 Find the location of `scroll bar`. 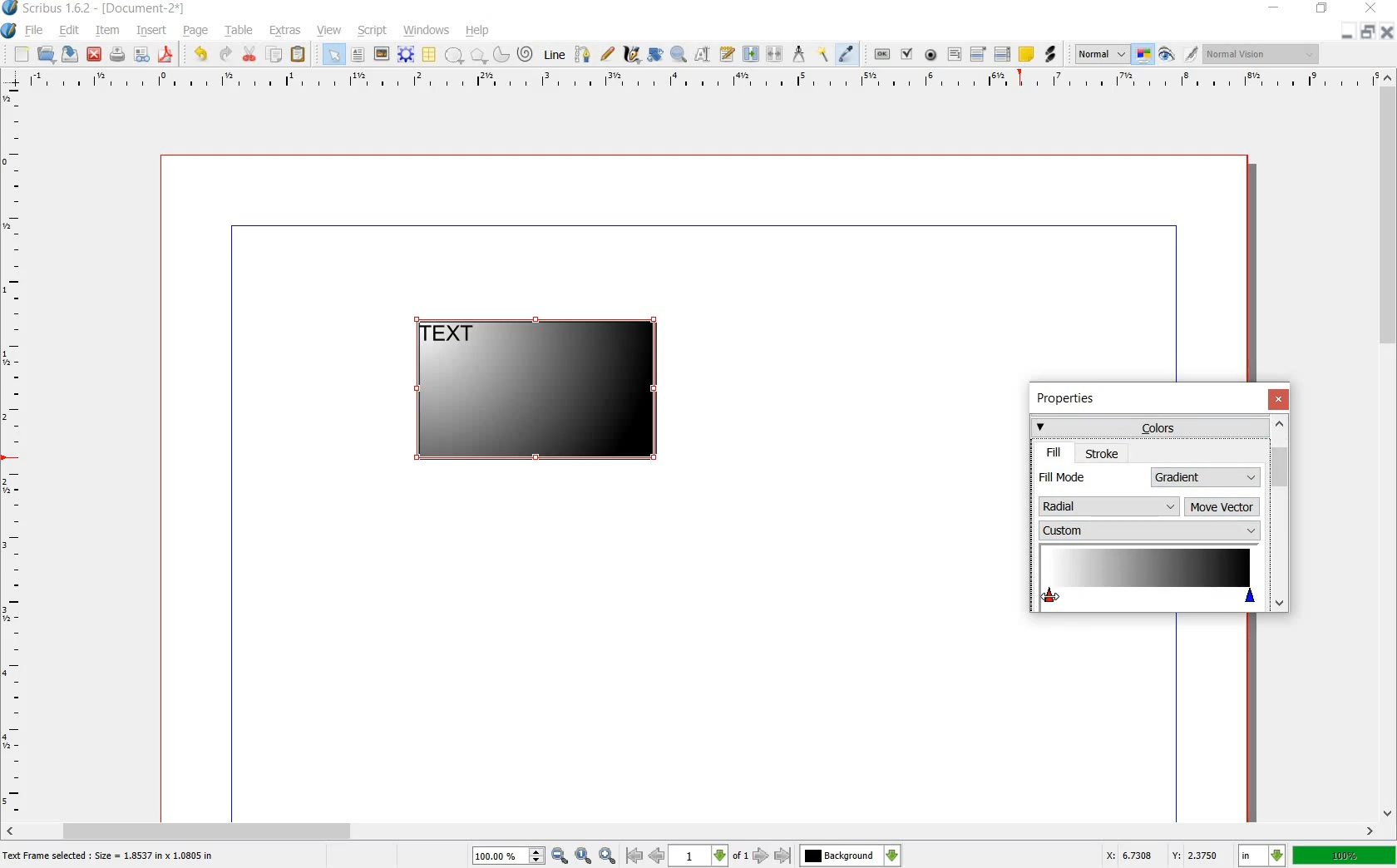

scroll bar is located at coordinates (692, 830).